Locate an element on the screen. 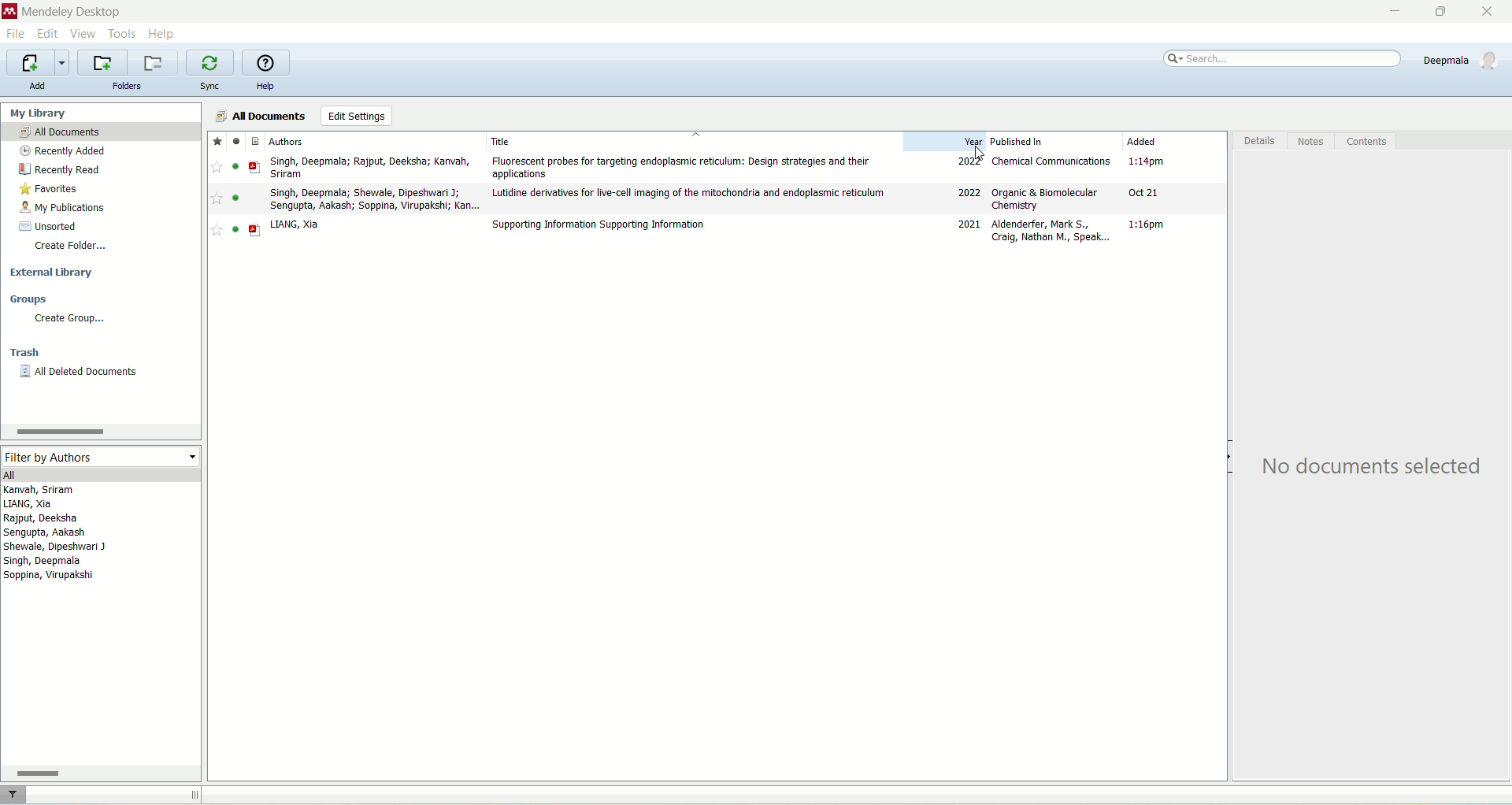  search is located at coordinates (1282, 58).